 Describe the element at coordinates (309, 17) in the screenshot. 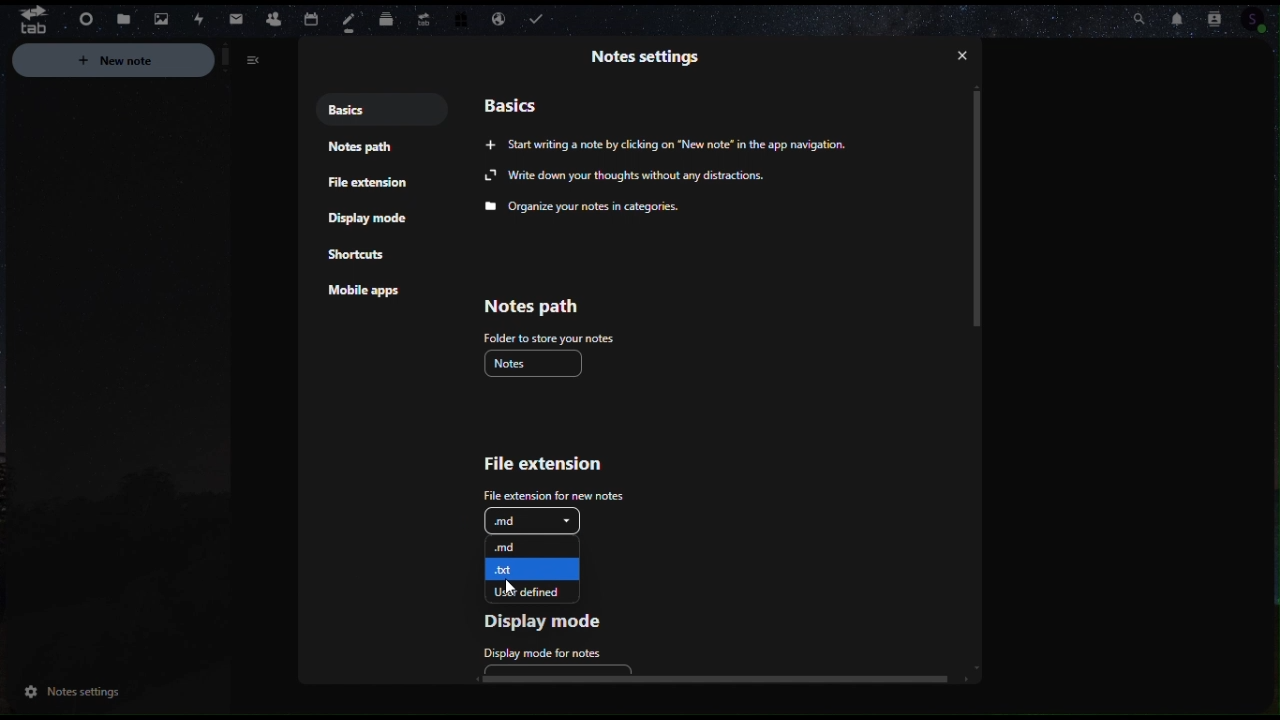

I see `Calendar` at that location.